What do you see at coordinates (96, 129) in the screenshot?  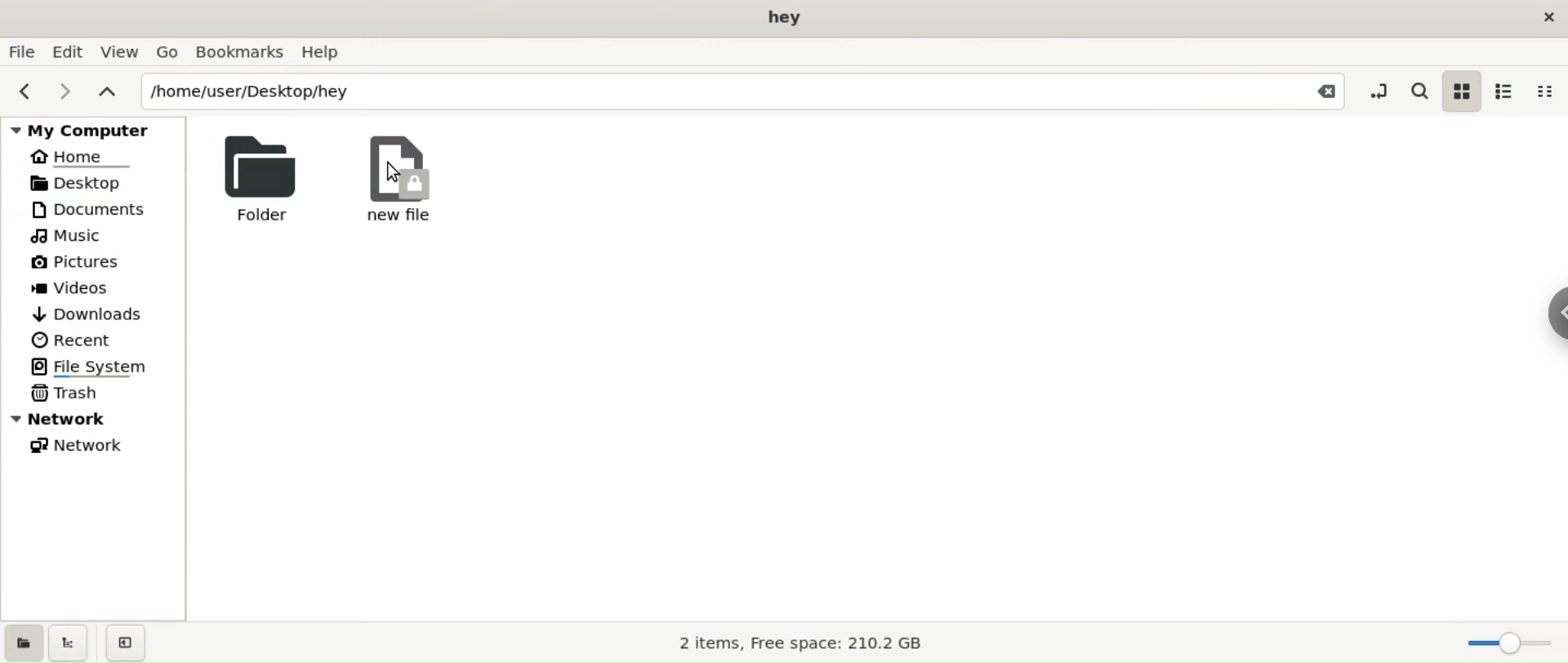 I see `My Computer` at bounding box center [96, 129].